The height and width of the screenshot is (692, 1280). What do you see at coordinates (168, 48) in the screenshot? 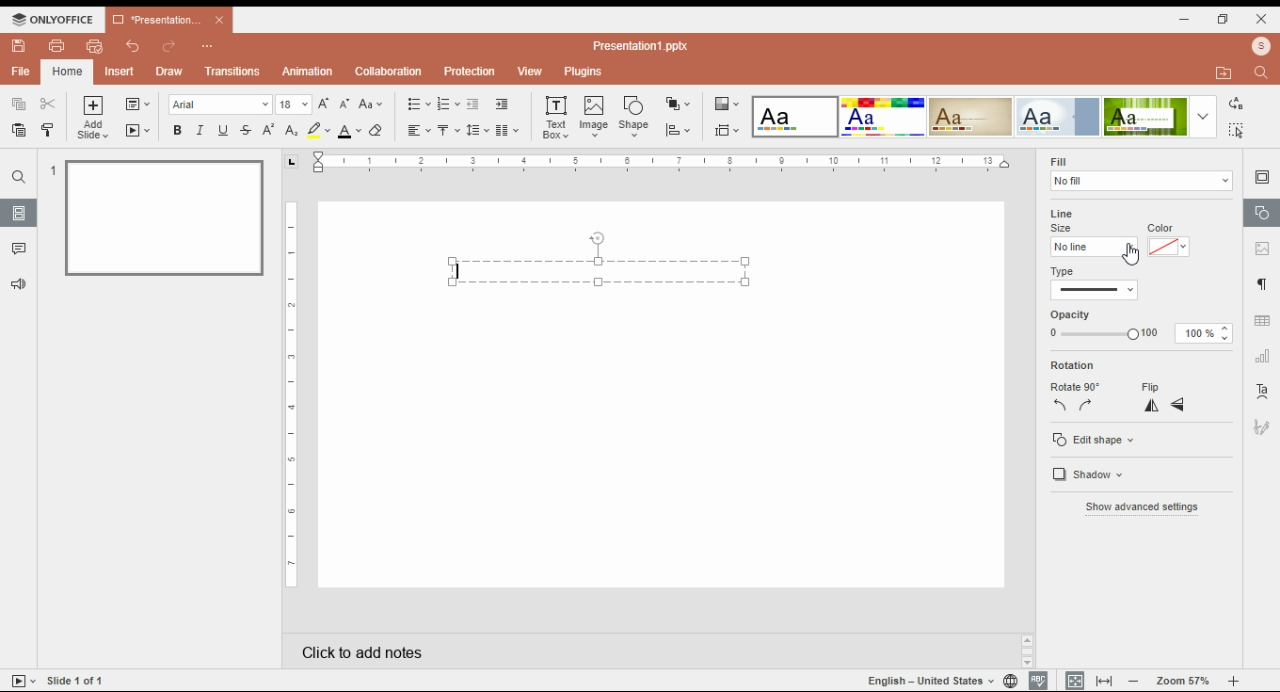
I see `redo` at bounding box center [168, 48].